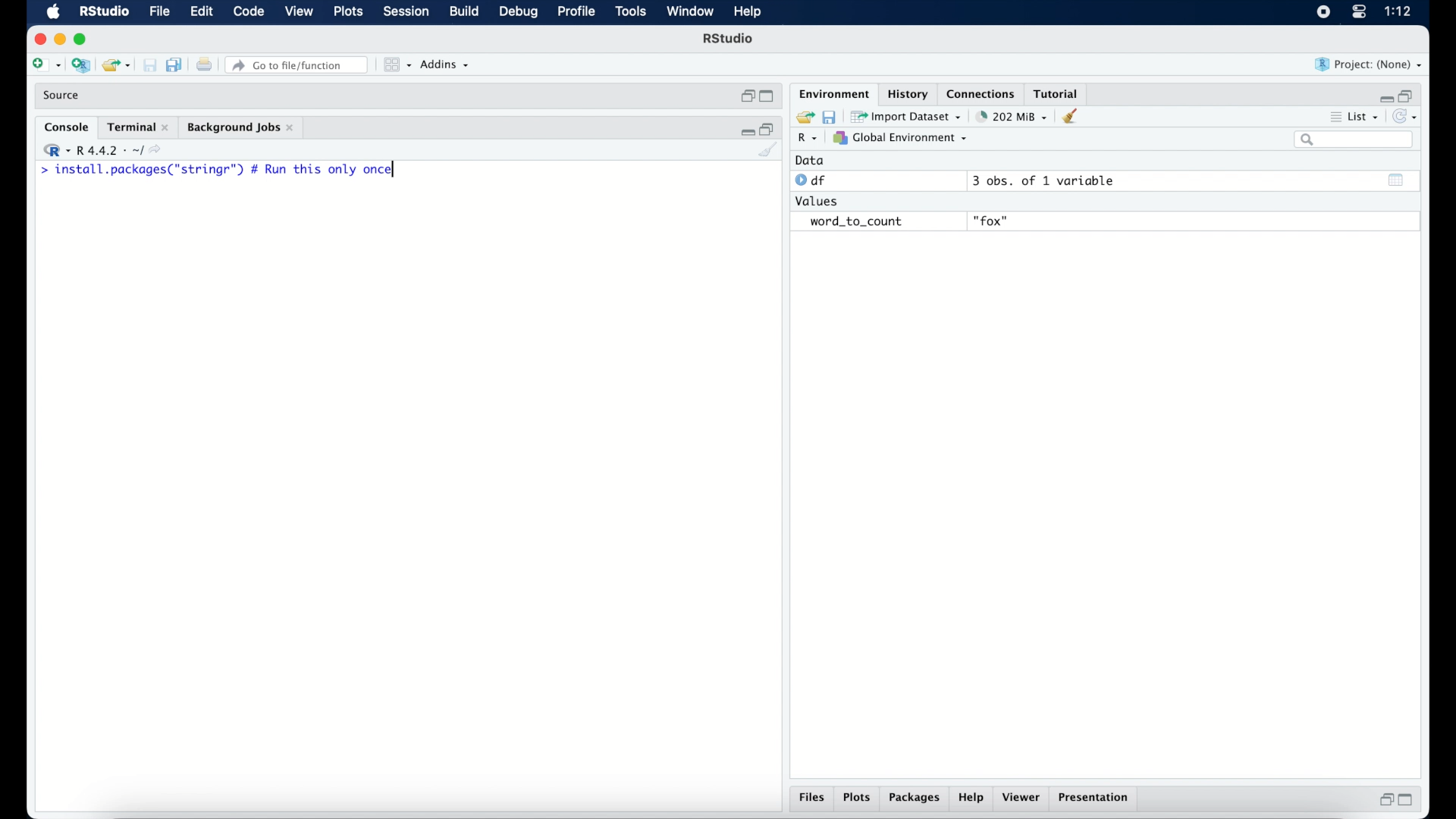 The height and width of the screenshot is (819, 1456). I want to click on debug, so click(519, 13).